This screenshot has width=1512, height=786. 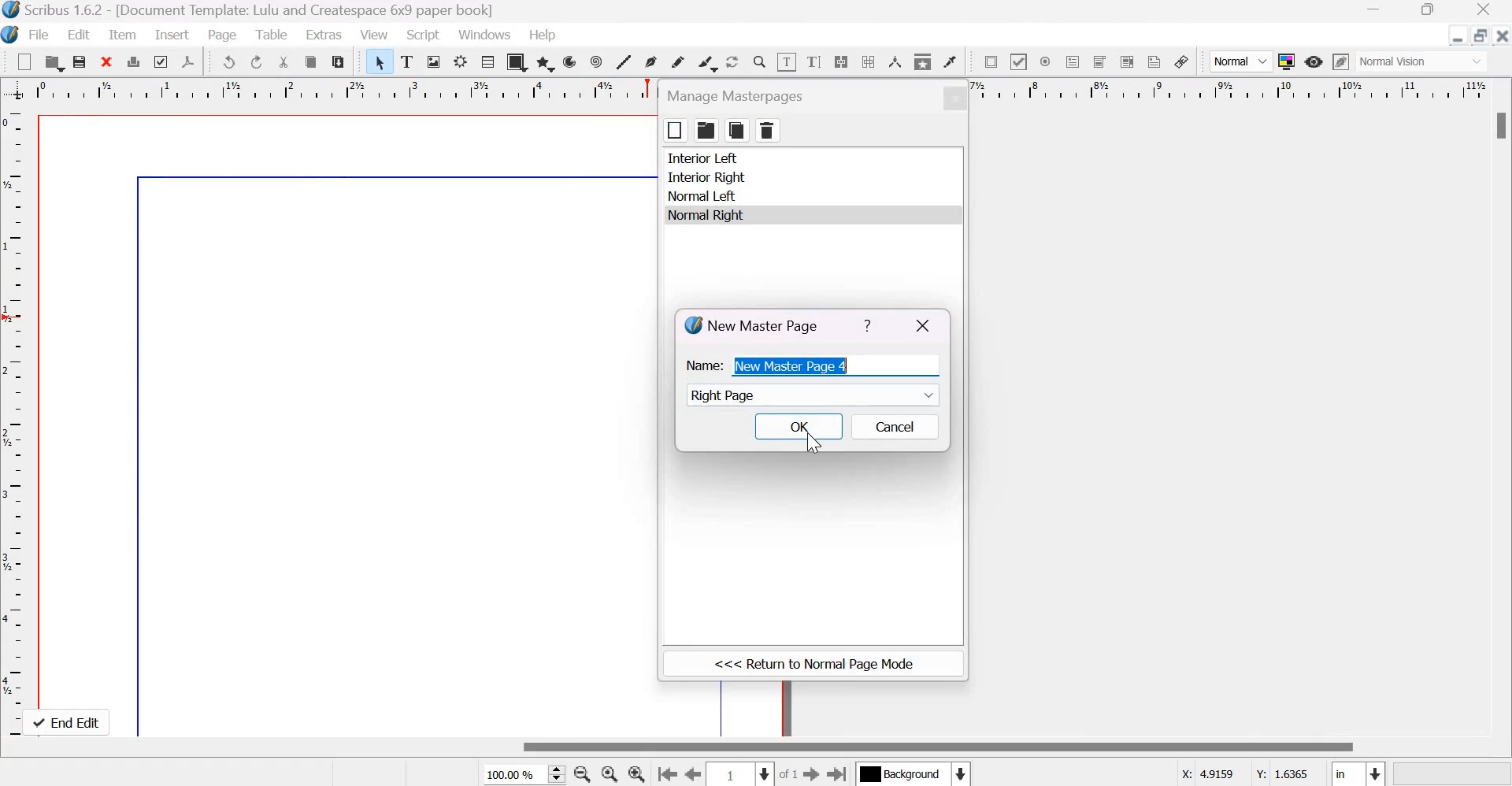 I want to click on undo, so click(x=229, y=61).